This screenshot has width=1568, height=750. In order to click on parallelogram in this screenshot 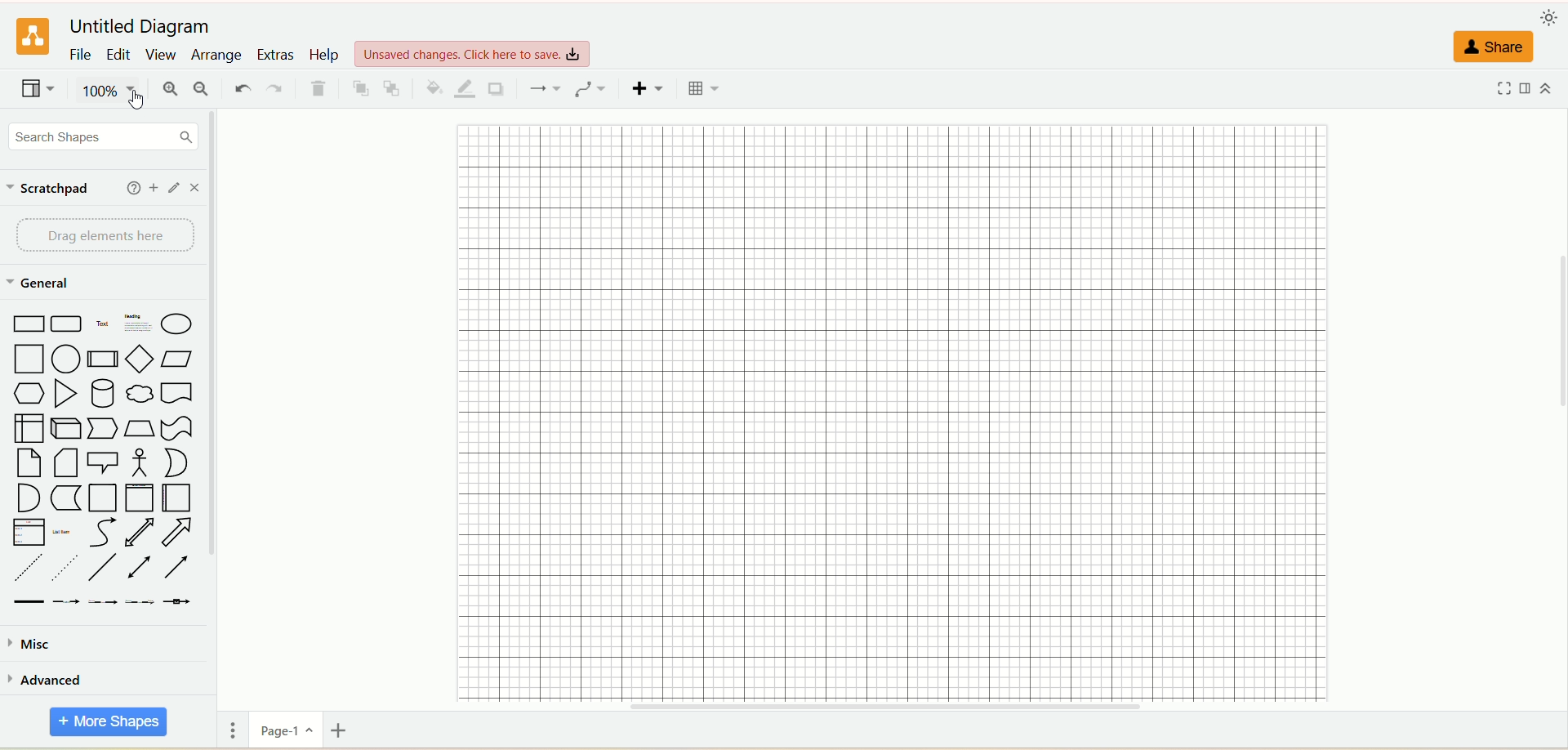, I will do `click(175, 359)`.